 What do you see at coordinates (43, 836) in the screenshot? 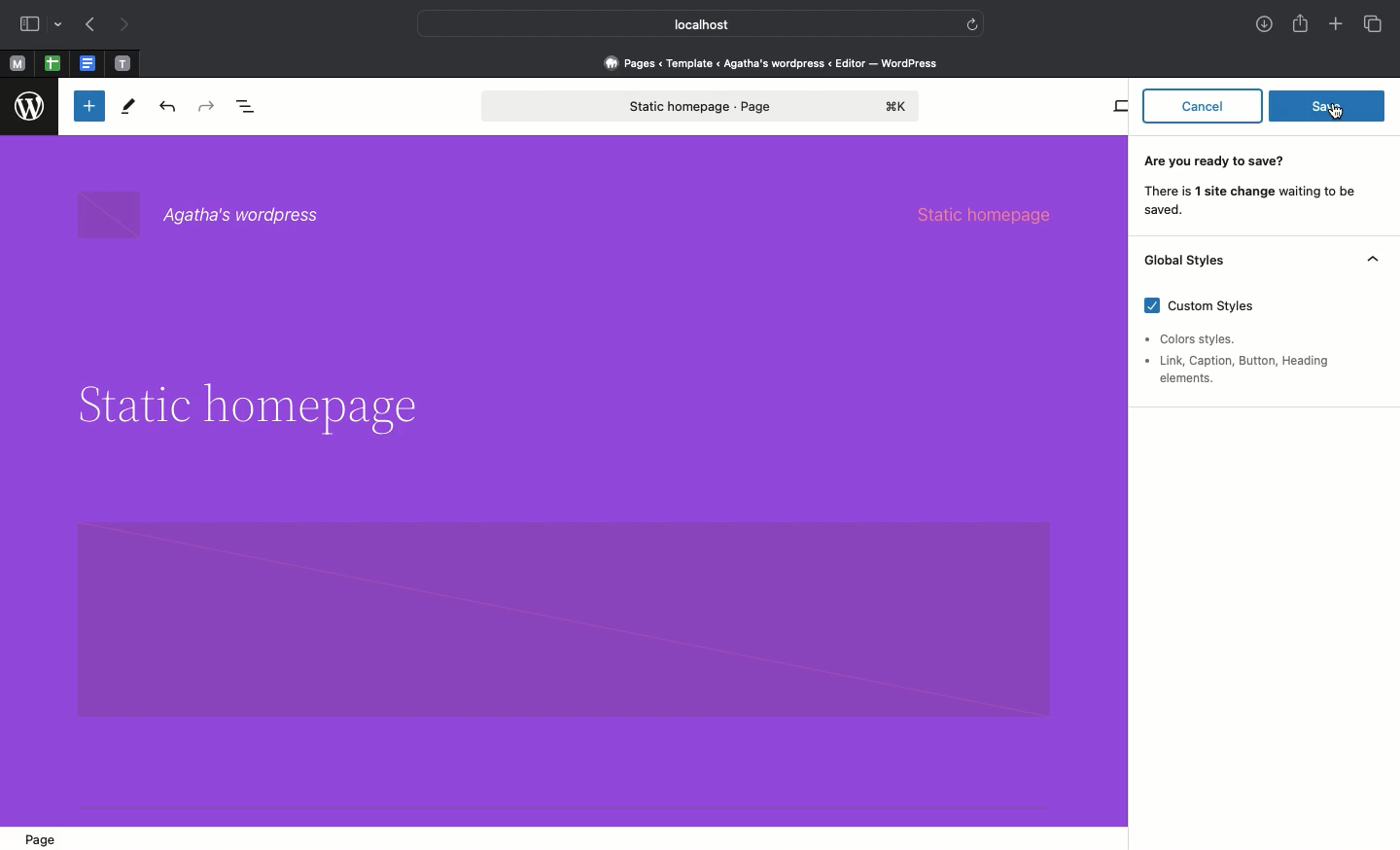
I see `page` at bounding box center [43, 836].